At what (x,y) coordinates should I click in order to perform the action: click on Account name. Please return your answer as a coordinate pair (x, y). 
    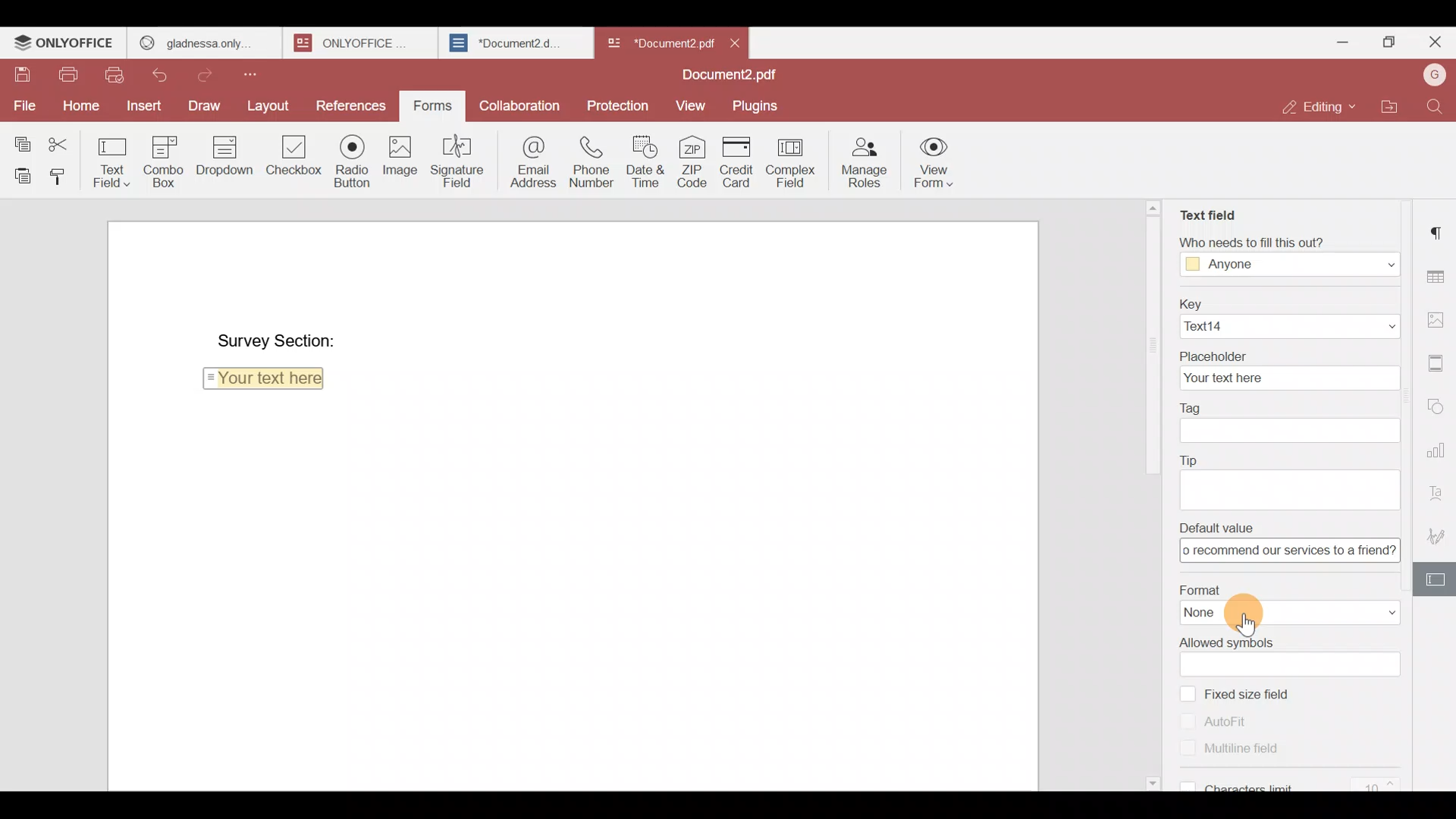
    Looking at the image, I should click on (1434, 75).